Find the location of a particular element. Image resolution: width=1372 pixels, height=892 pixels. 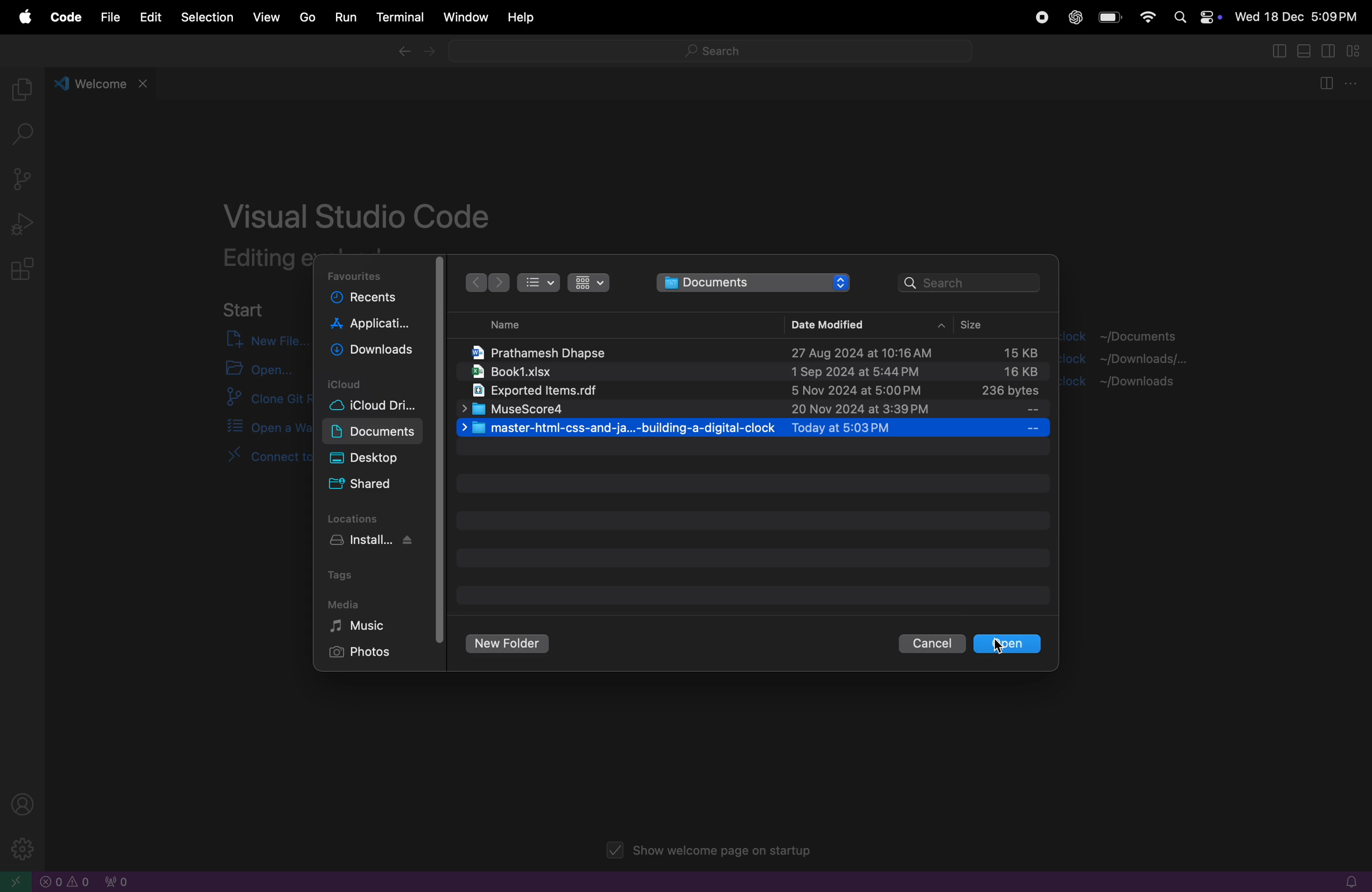

shared is located at coordinates (364, 485).